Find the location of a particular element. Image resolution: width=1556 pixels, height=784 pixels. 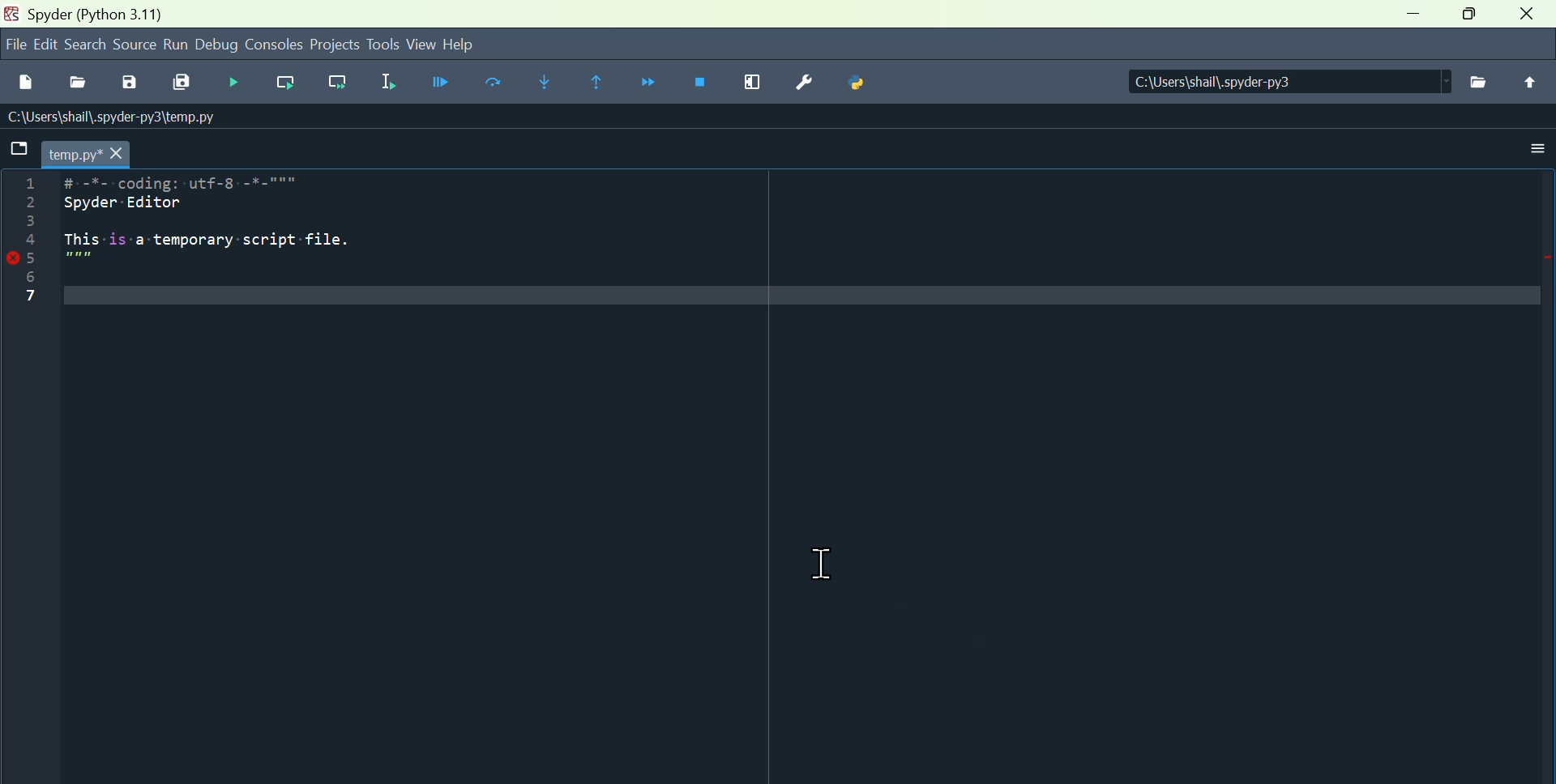

More options is located at coordinates (1528, 155).